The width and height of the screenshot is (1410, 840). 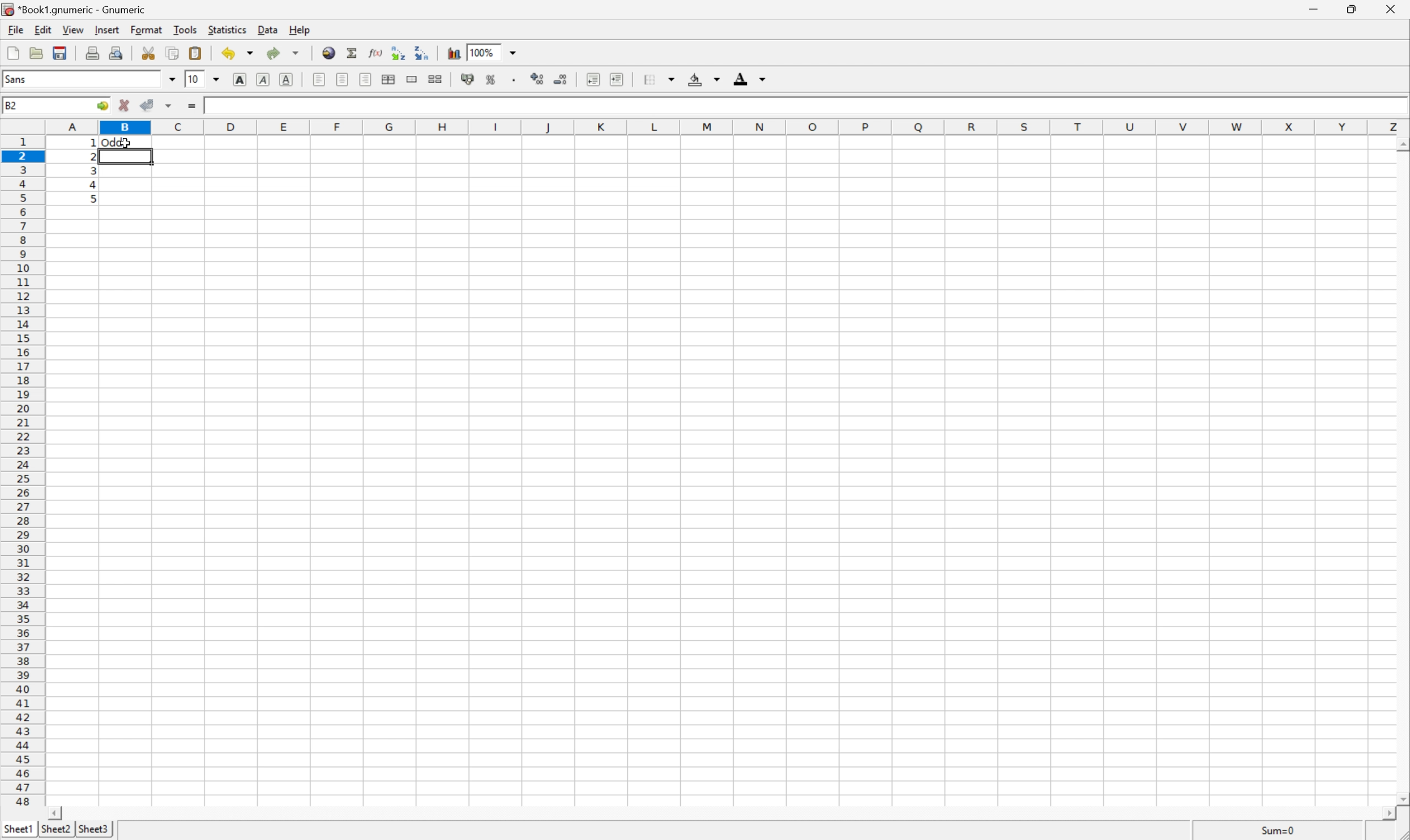 I want to click on Enter formula, so click(x=190, y=108).